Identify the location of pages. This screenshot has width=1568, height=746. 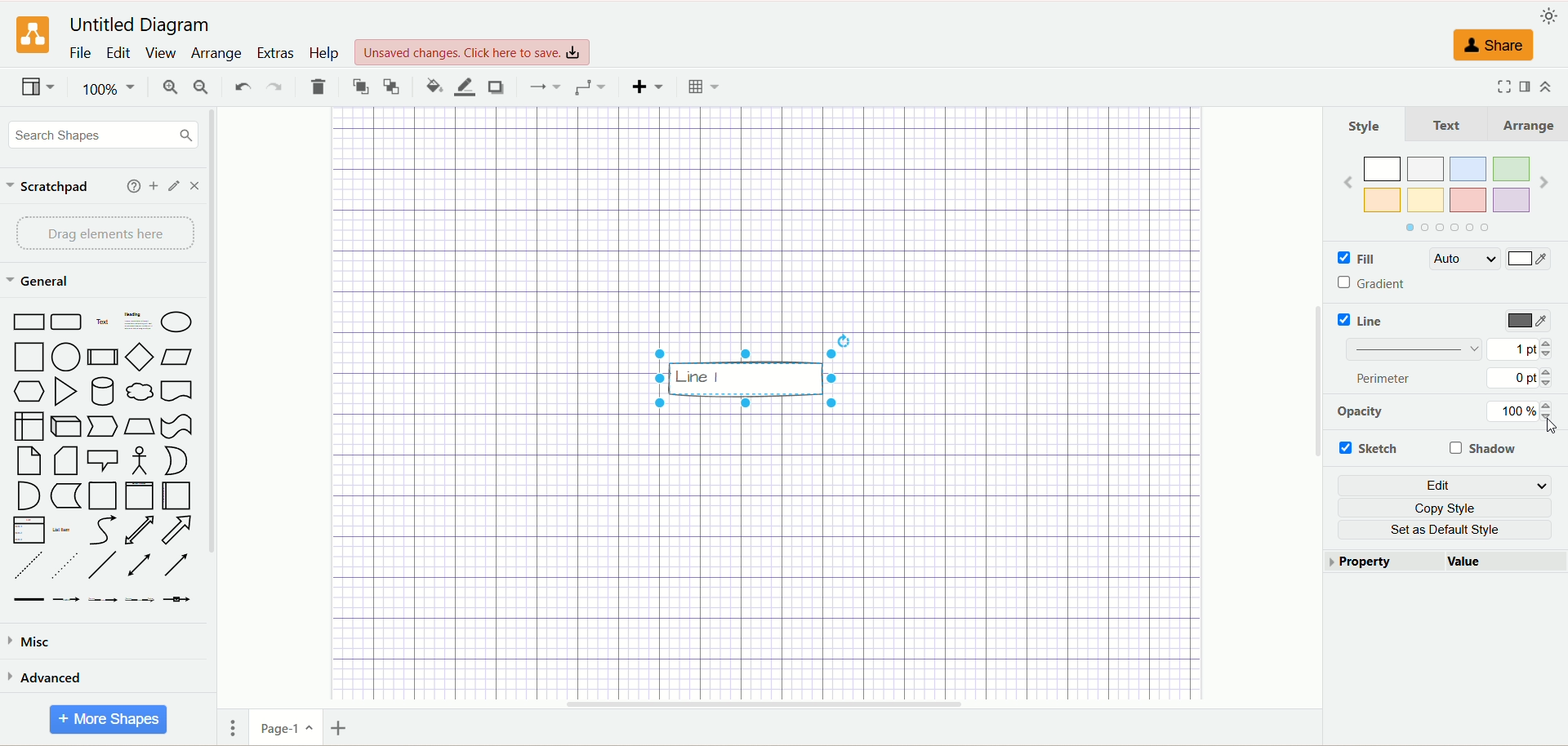
(229, 730).